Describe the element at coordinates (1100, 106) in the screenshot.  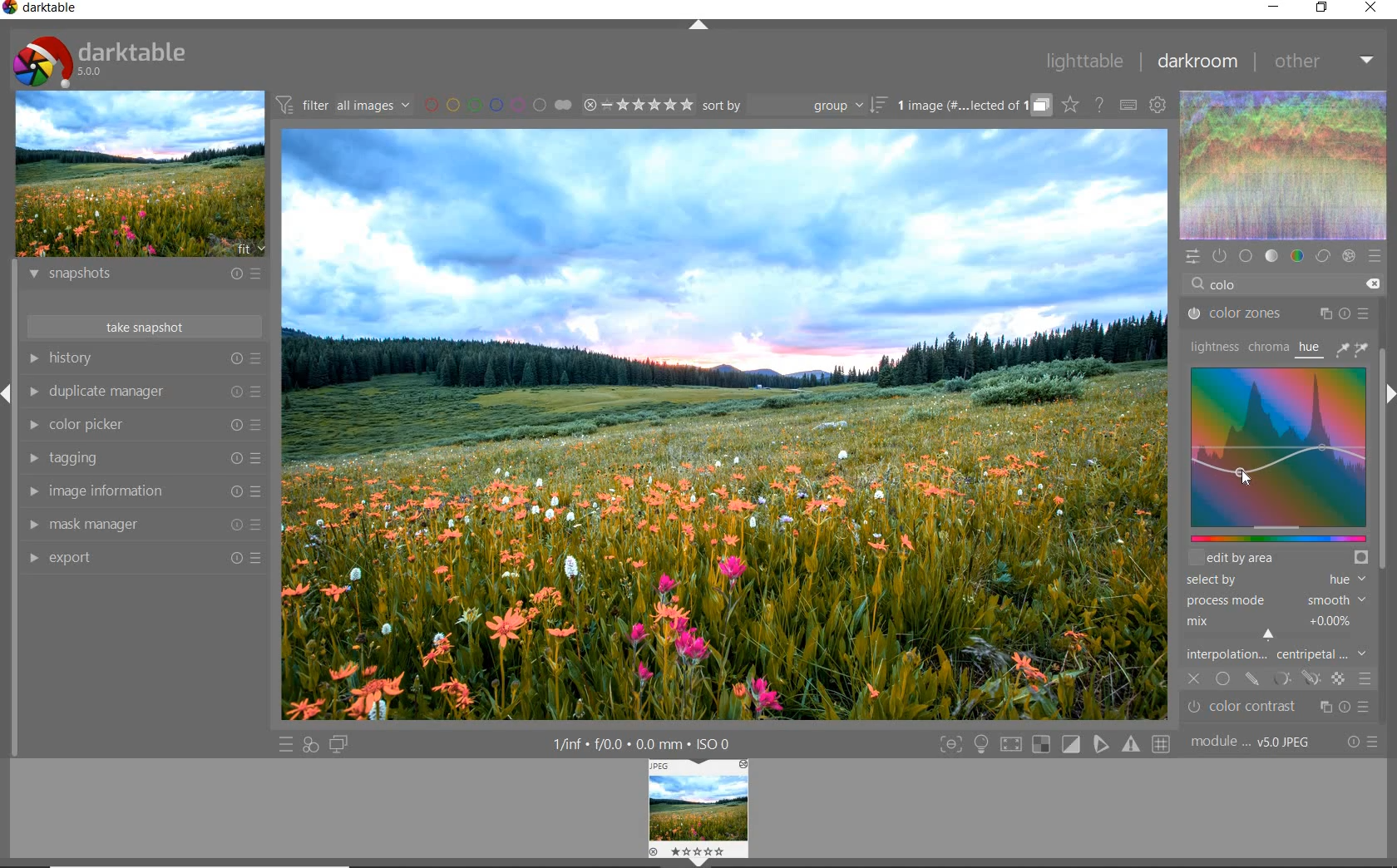
I see `enable online help` at that location.